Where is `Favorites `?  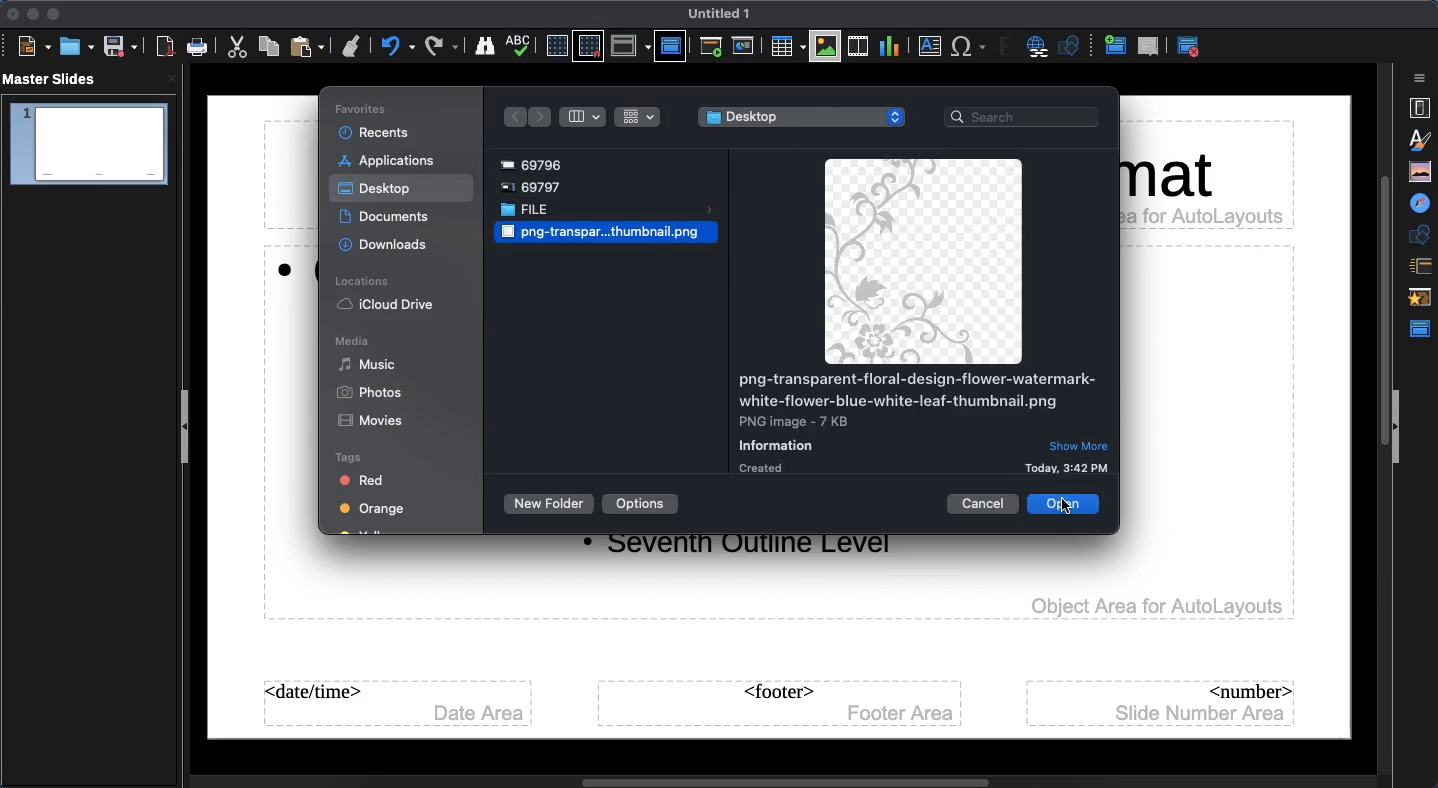
Favorites  is located at coordinates (365, 109).